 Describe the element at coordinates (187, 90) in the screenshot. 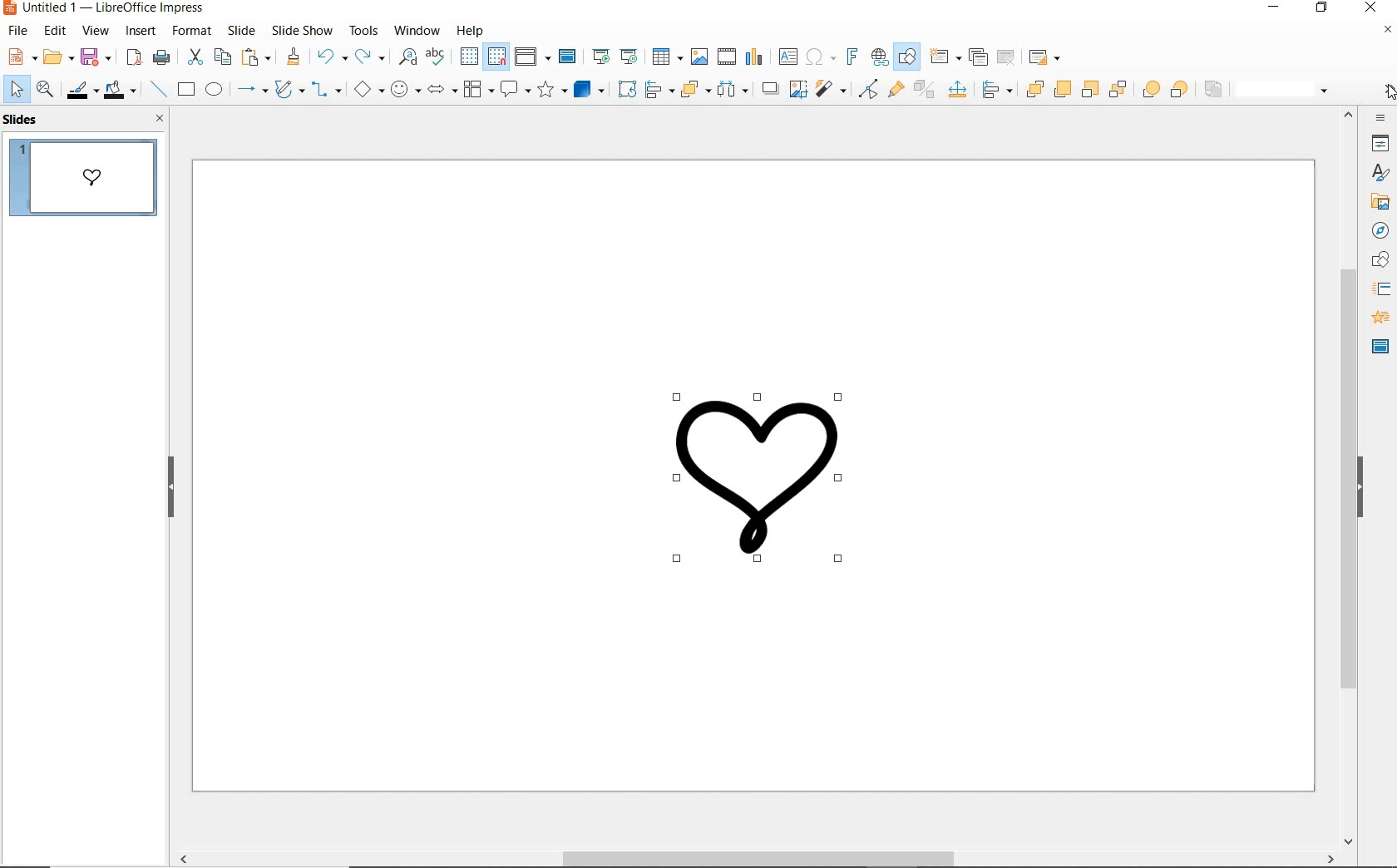

I see `rectangle` at that location.